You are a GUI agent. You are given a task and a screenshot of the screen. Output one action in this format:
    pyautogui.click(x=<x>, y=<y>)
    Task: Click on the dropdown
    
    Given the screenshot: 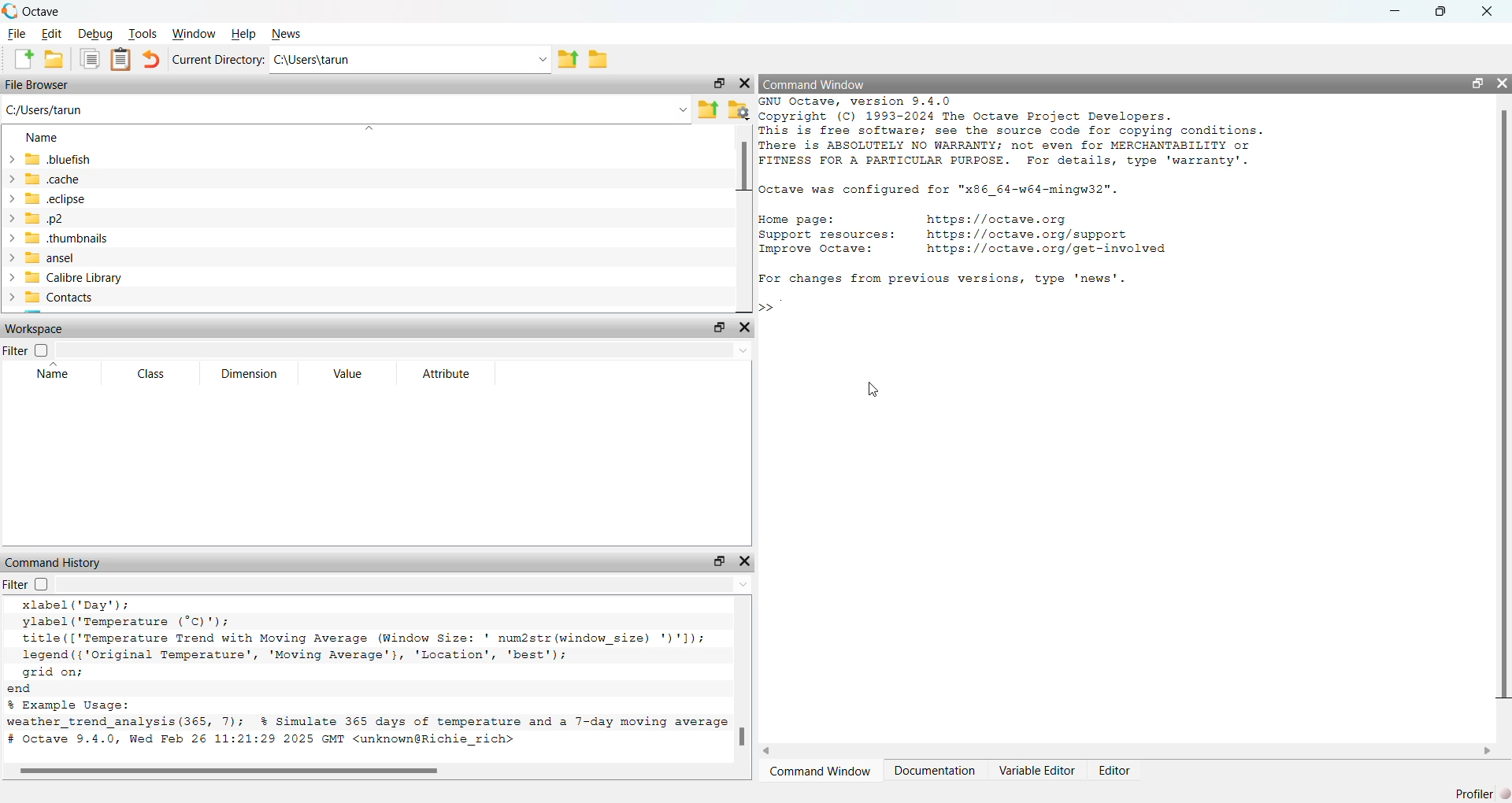 What is the action you would take?
    pyautogui.click(x=683, y=110)
    